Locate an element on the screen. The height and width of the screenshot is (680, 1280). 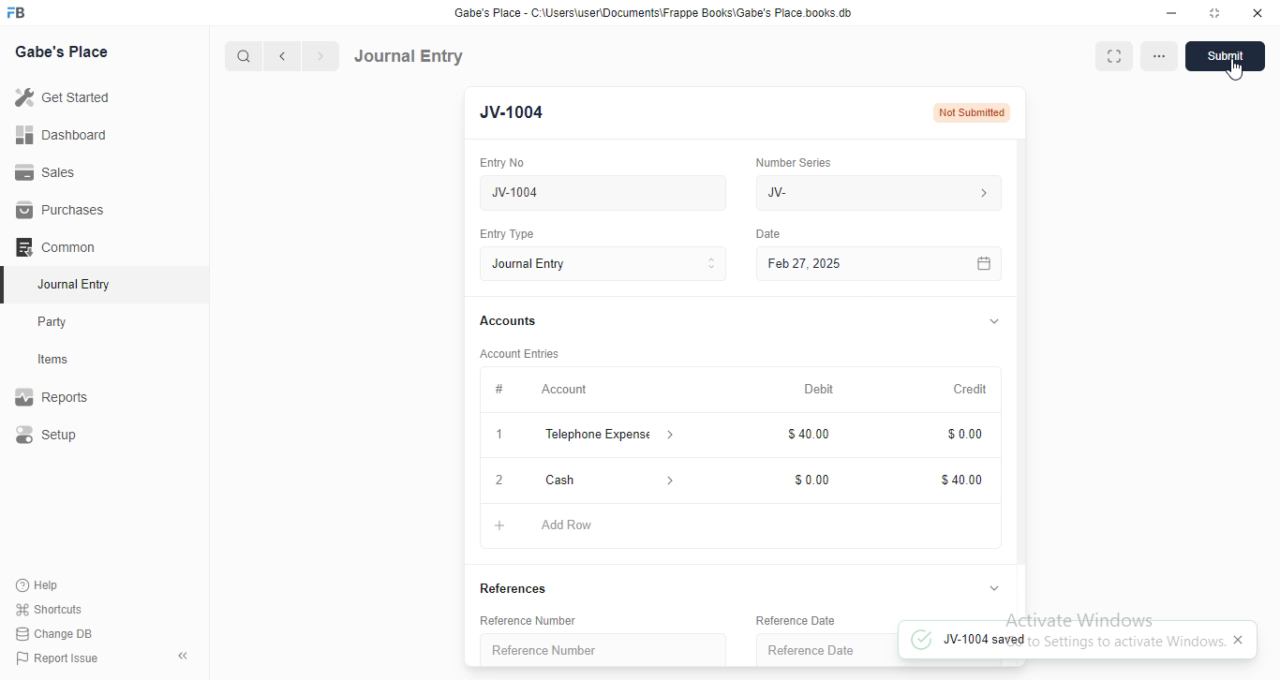
‘Reference Date is located at coordinates (792, 620).